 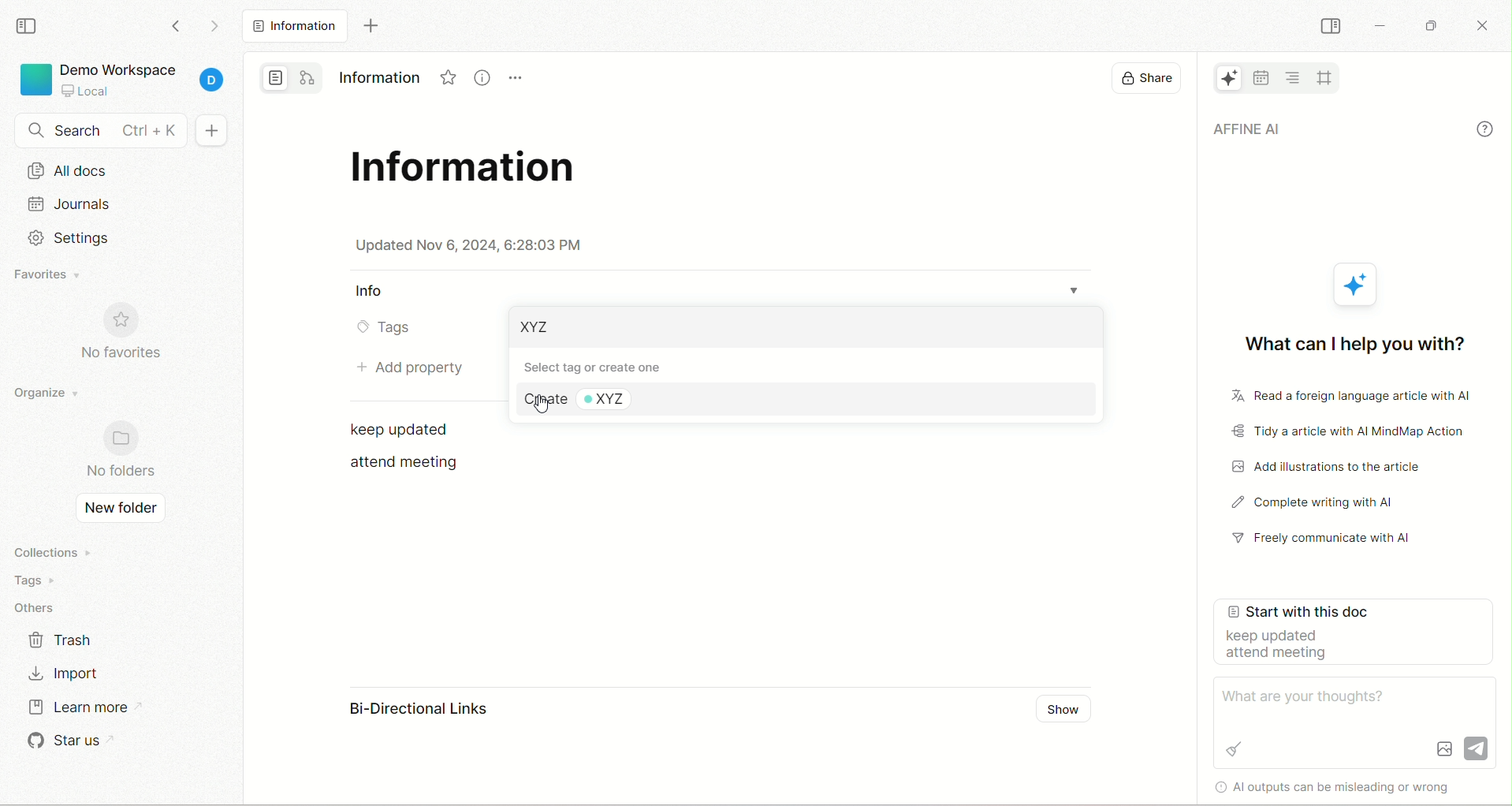 I want to click on Dropdown menu, so click(x=1082, y=285).